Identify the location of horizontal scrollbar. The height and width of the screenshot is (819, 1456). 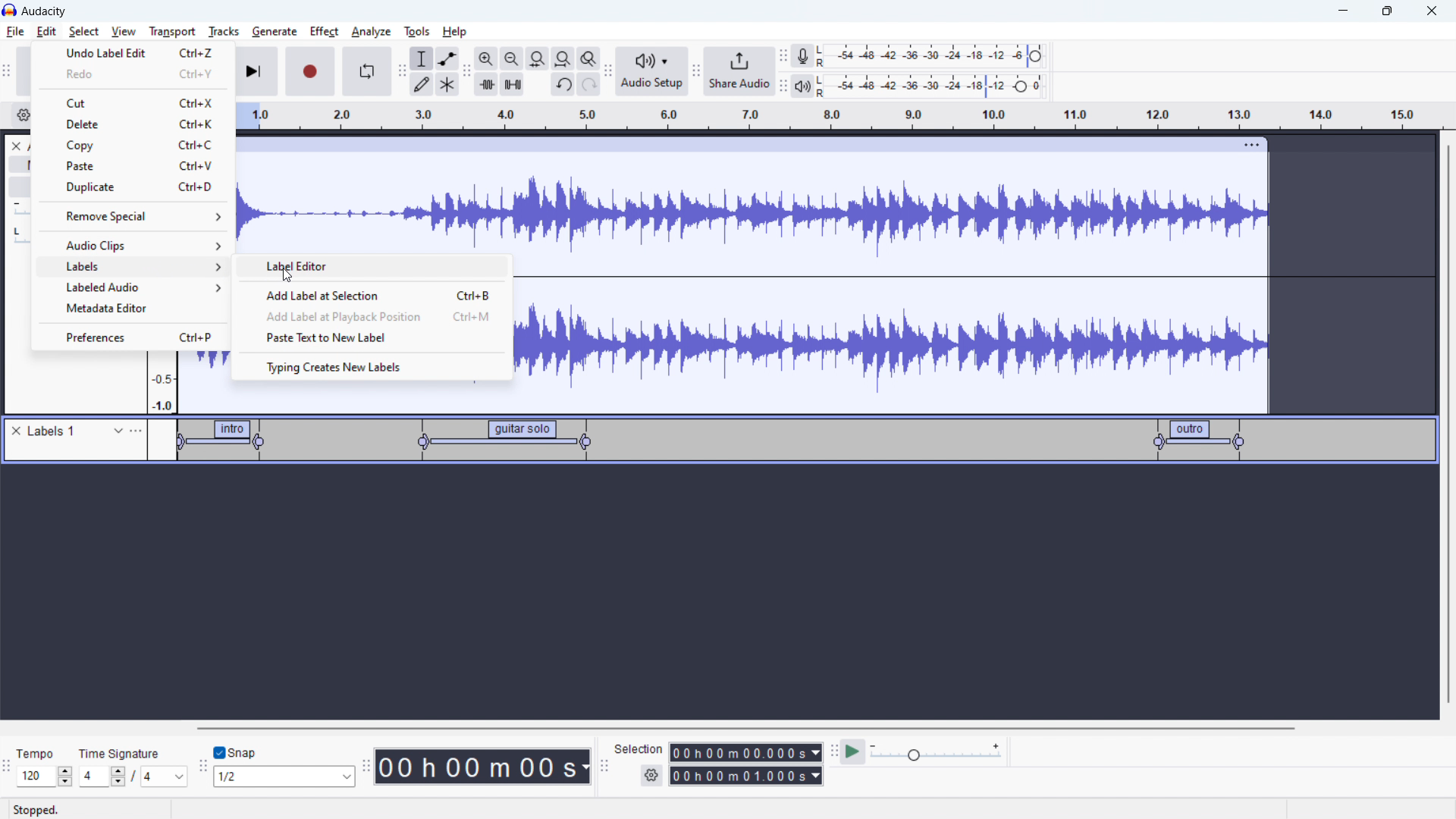
(748, 728).